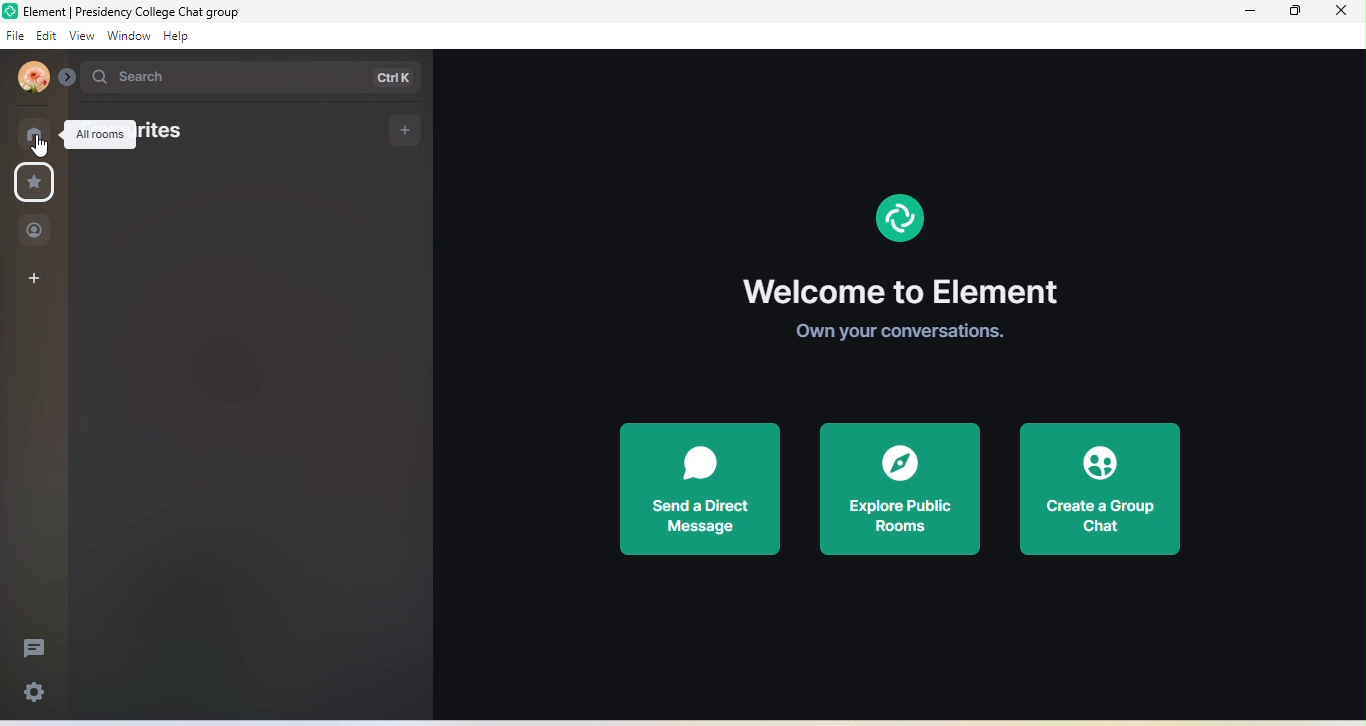 The height and width of the screenshot is (726, 1366). I want to click on own your conversations, so click(899, 329).